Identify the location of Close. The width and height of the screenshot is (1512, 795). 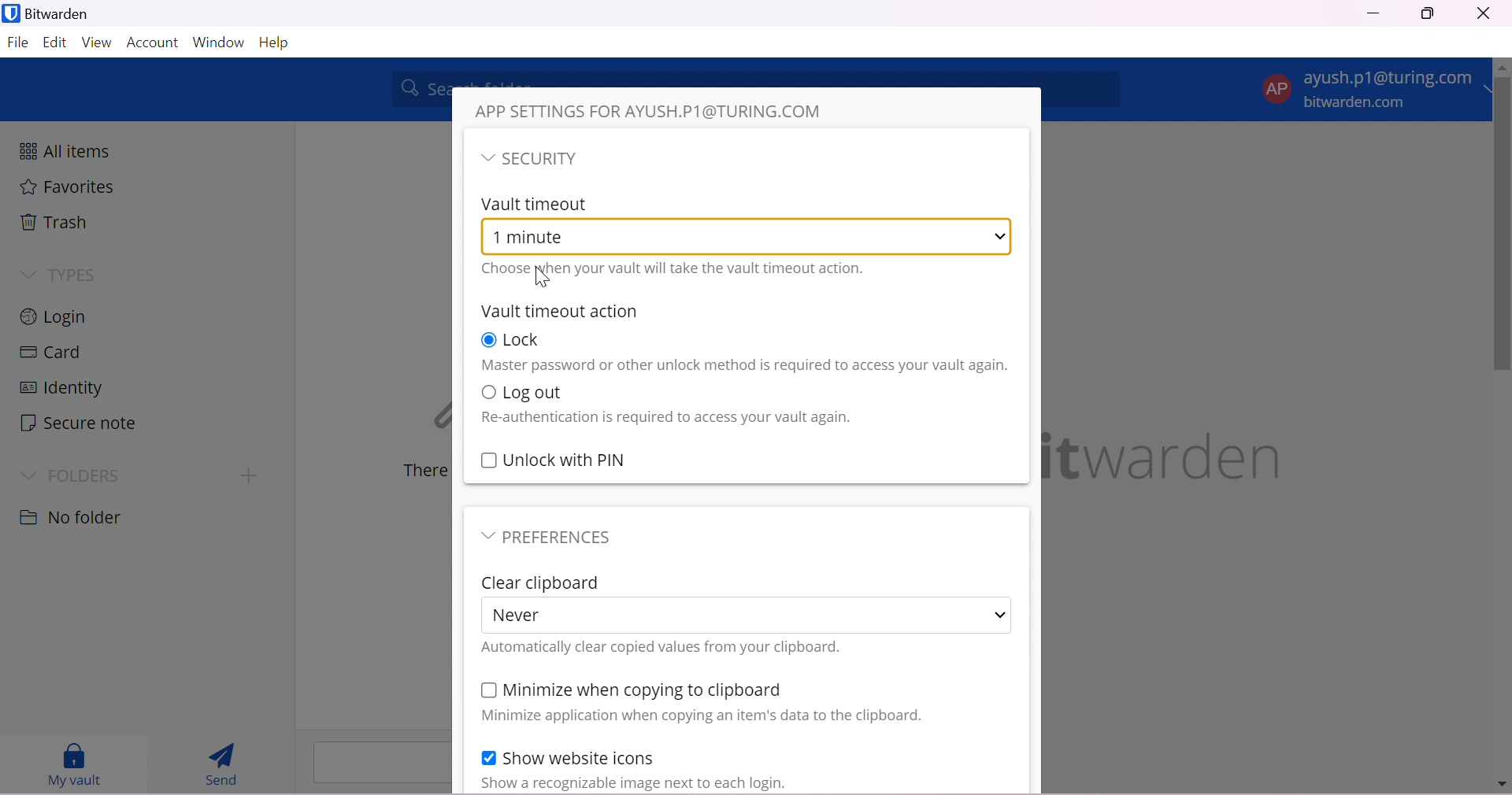
(1483, 13).